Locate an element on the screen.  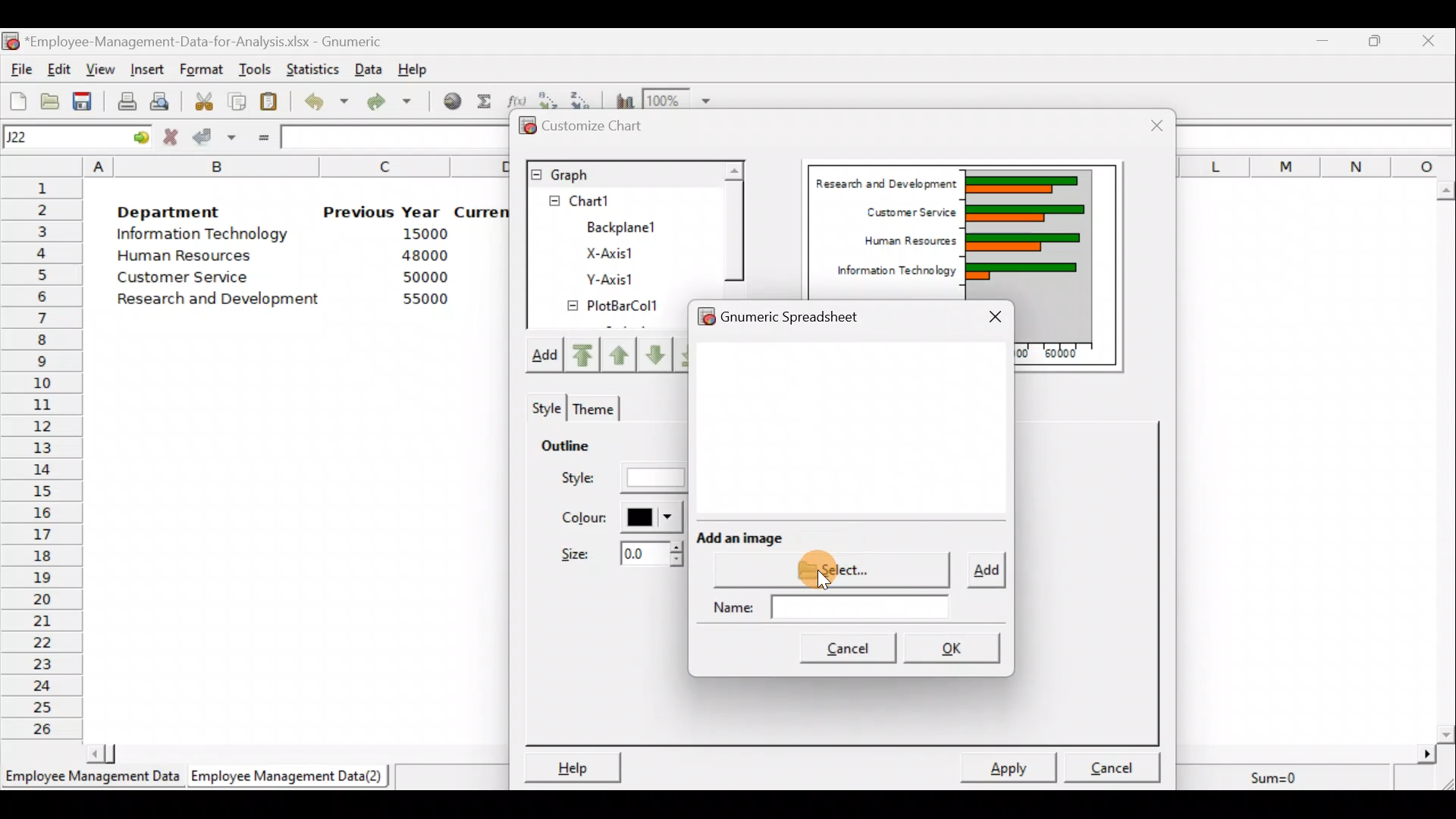
Customize chart is located at coordinates (591, 127).